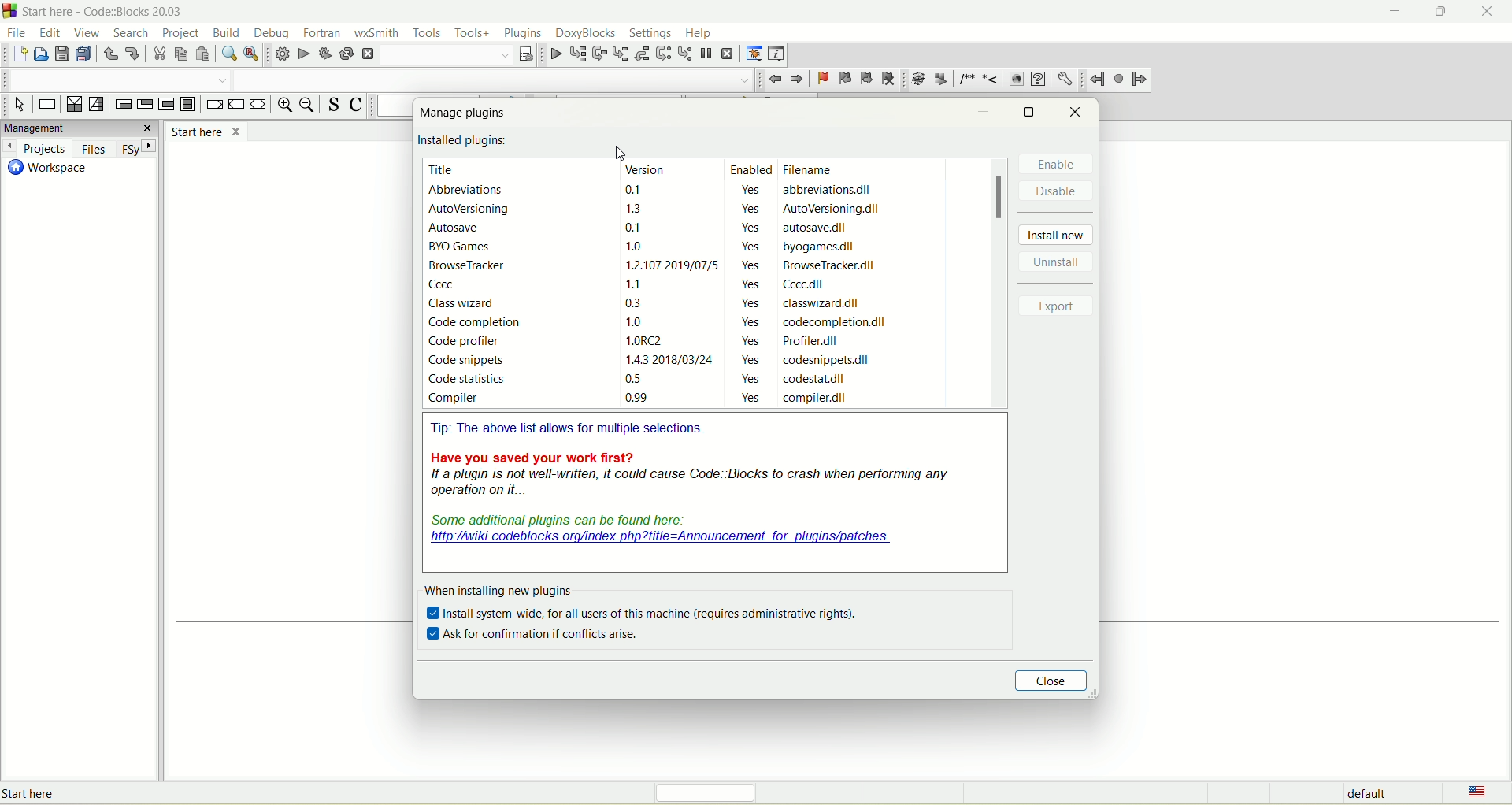 The image size is (1512, 805). What do you see at coordinates (272, 32) in the screenshot?
I see `debug` at bounding box center [272, 32].